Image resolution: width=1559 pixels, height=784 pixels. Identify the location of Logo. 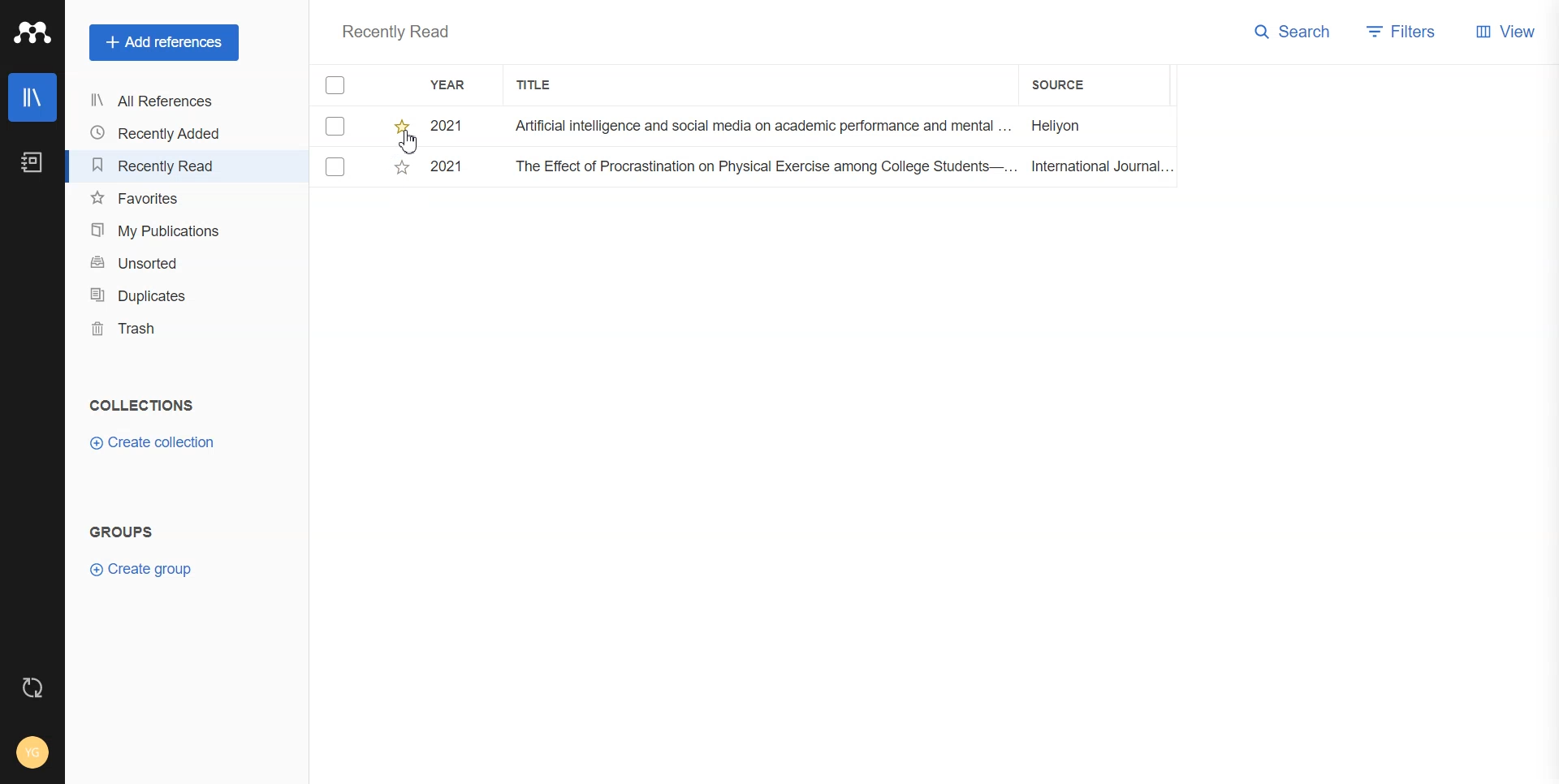
(31, 32).